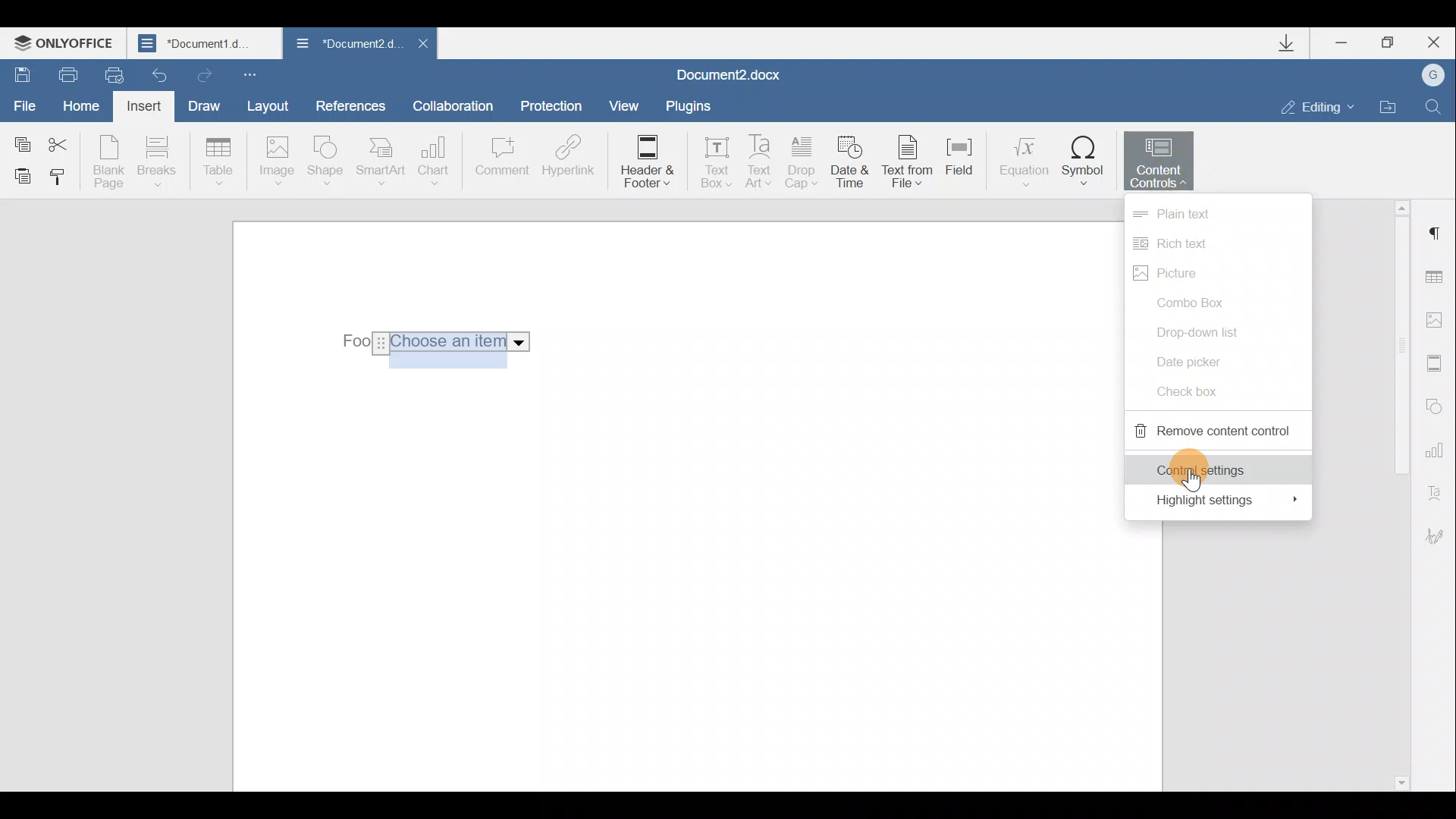 The width and height of the screenshot is (1456, 819). Describe the element at coordinates (625, 105) in the screenshot. I see `View` at that location.